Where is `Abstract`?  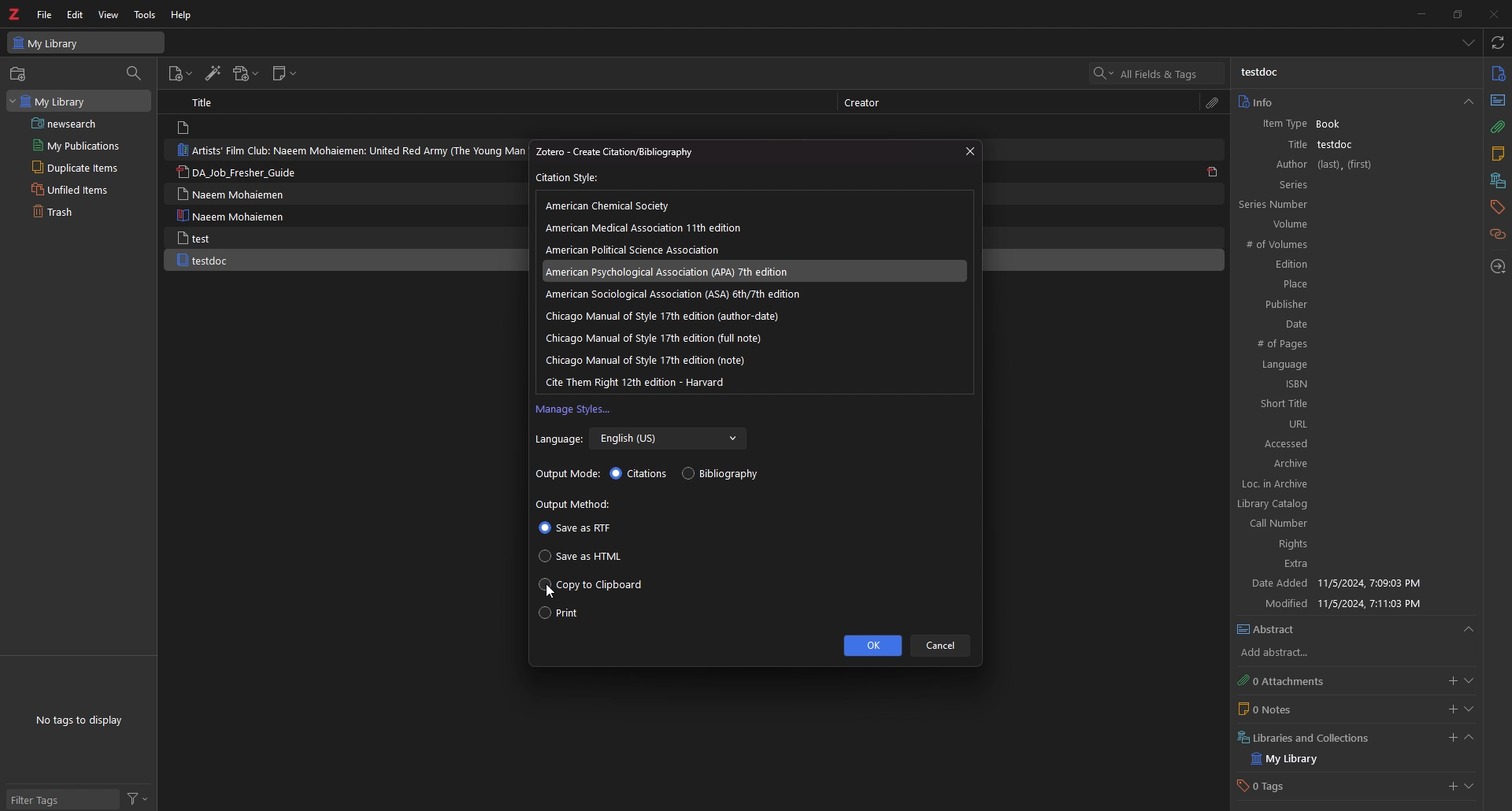
Abstract is located at coordinates (1356, 630).